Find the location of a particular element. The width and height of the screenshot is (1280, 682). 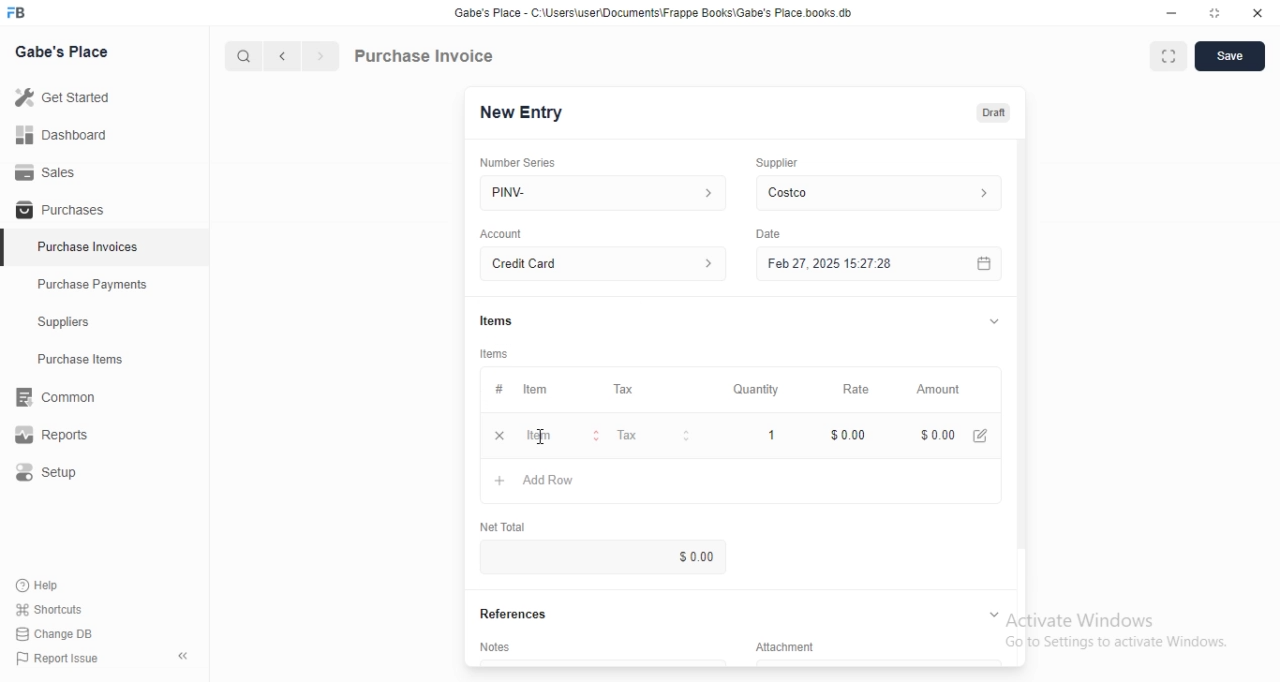

Frappe Books logo is located at coordinates (15, 12).